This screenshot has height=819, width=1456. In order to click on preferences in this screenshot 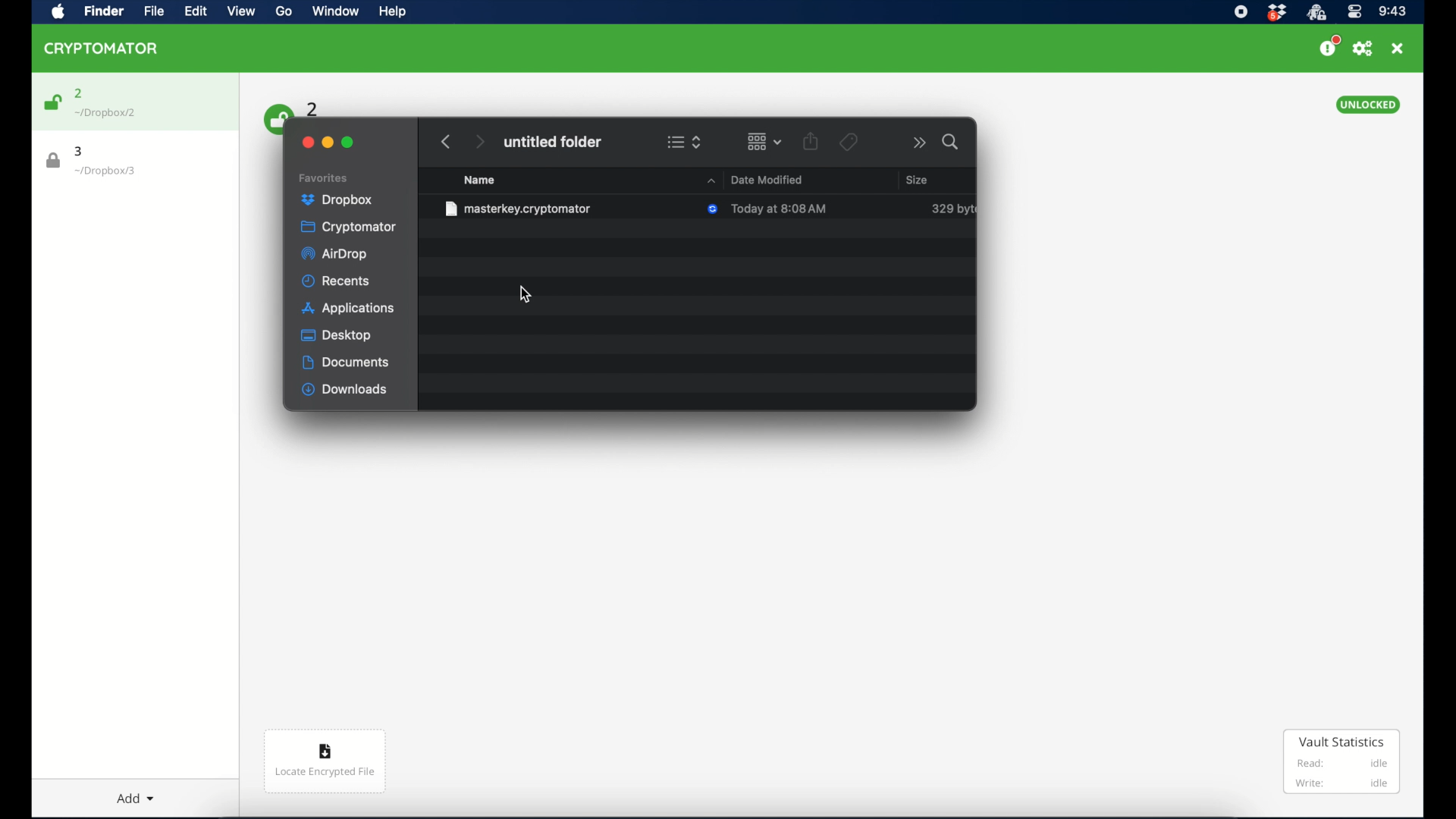, I will do `click(1363, 49)`.